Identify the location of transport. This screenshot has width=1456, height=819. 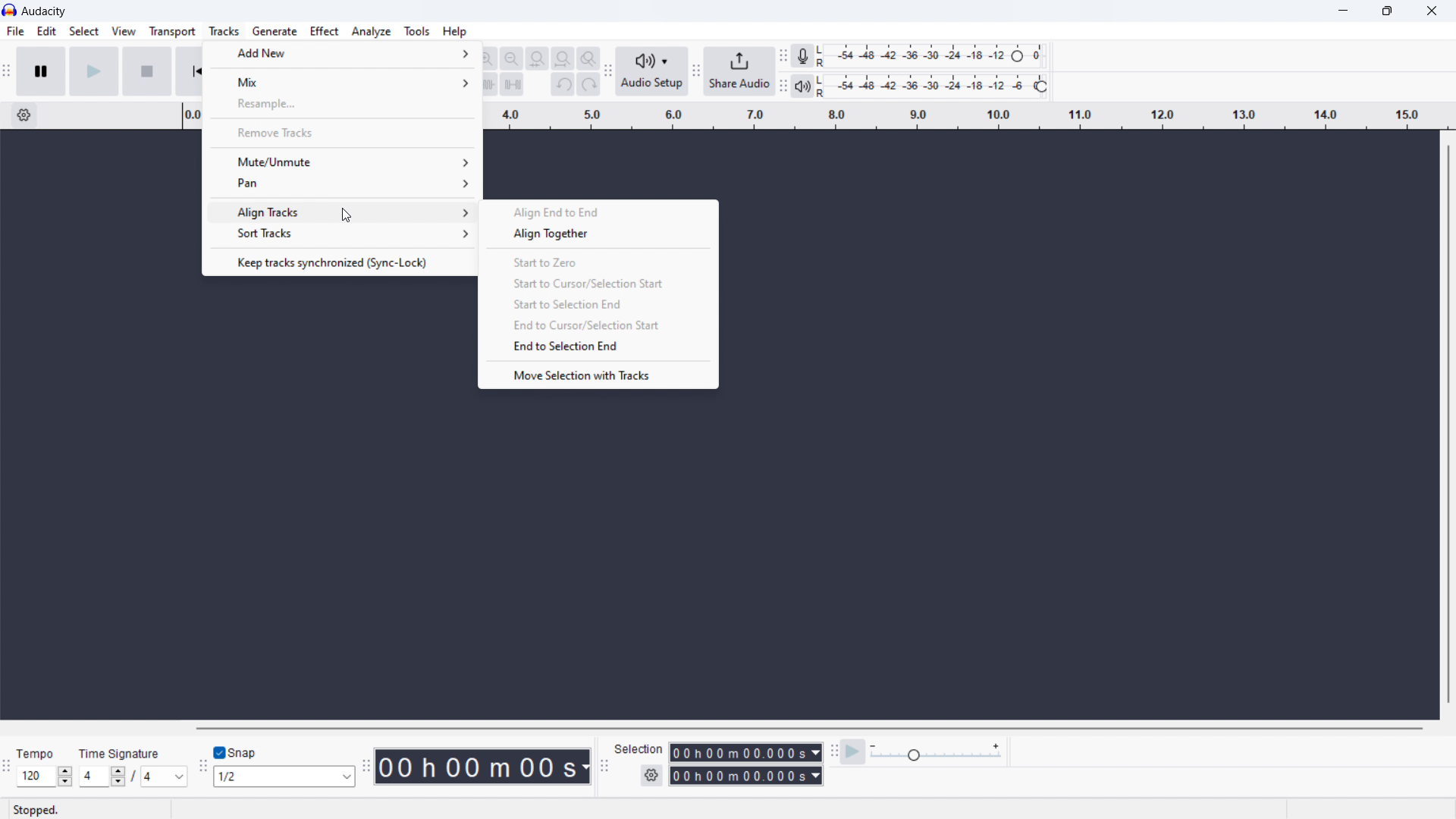
(173, 32).